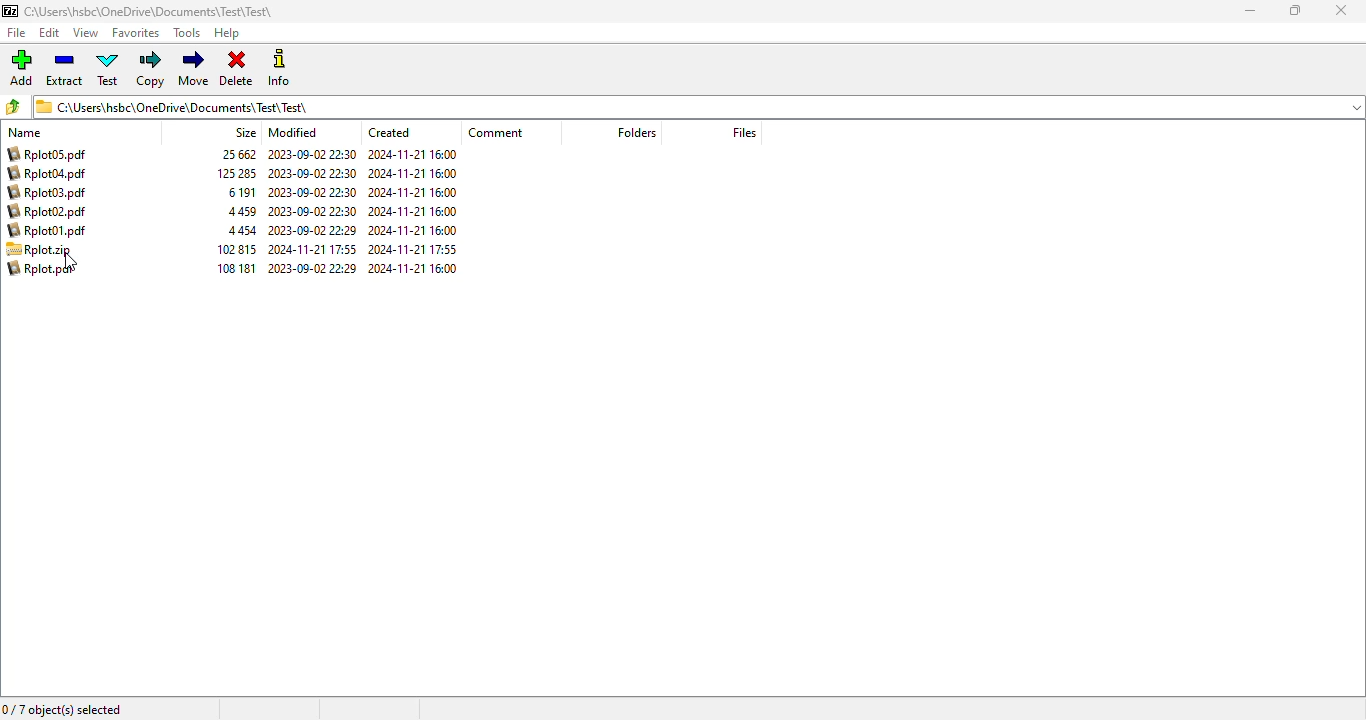 The width and height of the screenshot is (1366, 720). I want to click on 25 602, so click(238, 154).